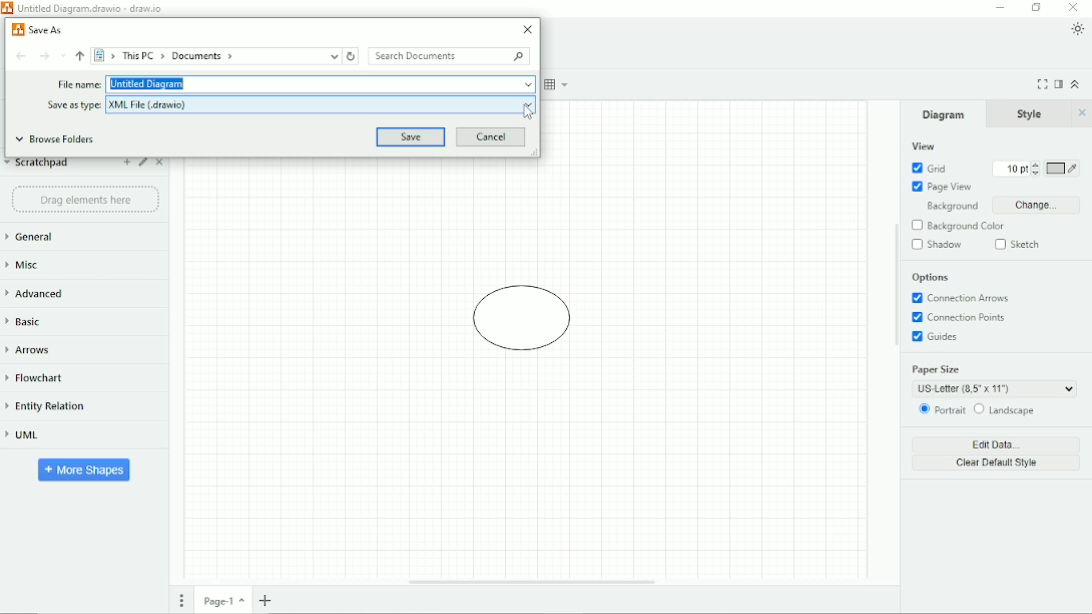 The image size is (1092, 614). I want to click on Connection Points, so click(963, 317).